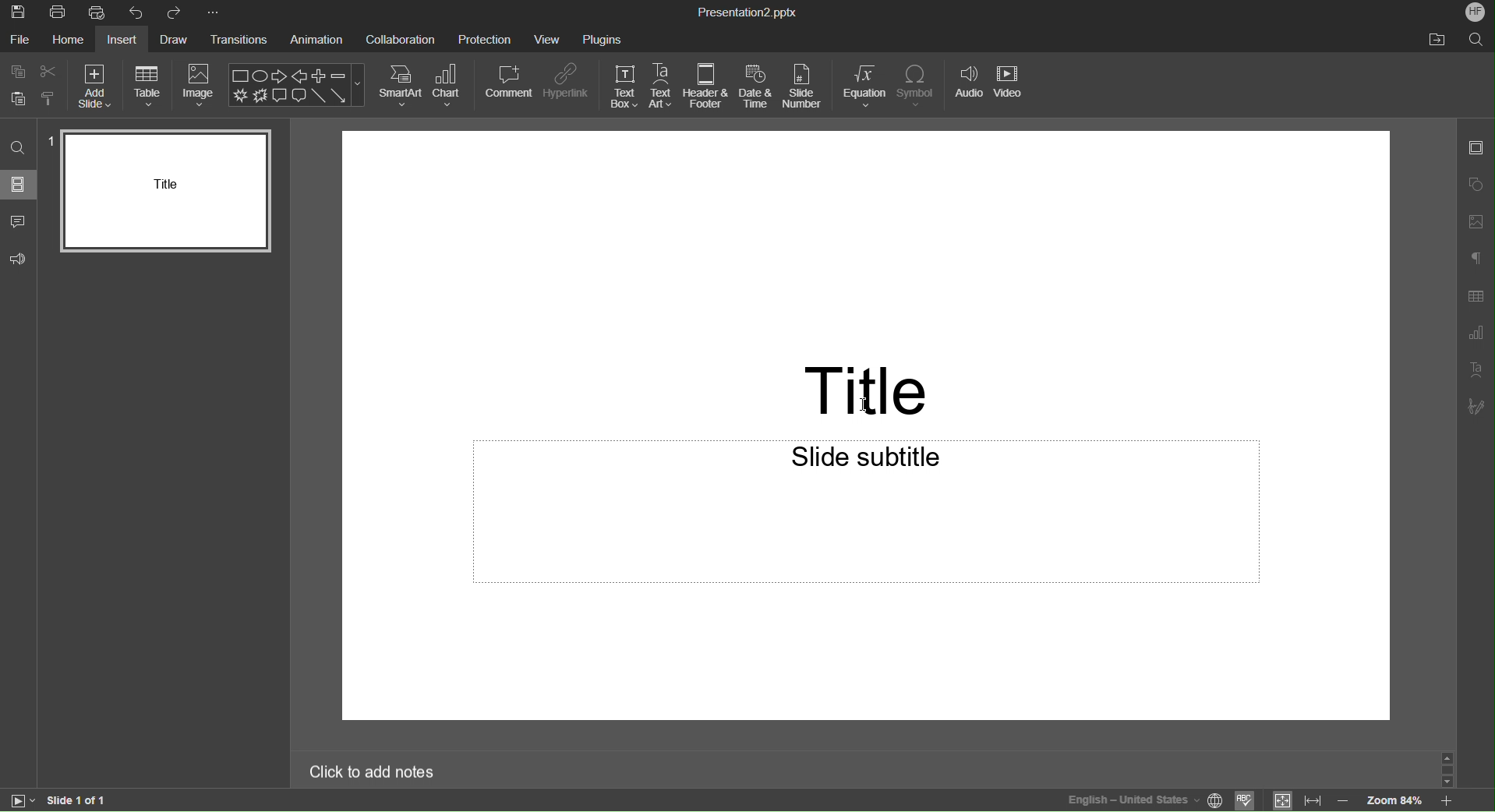 Image resolution: width=1495 pixels, height=812 pixels. Describe the element at coordinates (23, 801) in the screenshot. I see `start slide show` at that location.